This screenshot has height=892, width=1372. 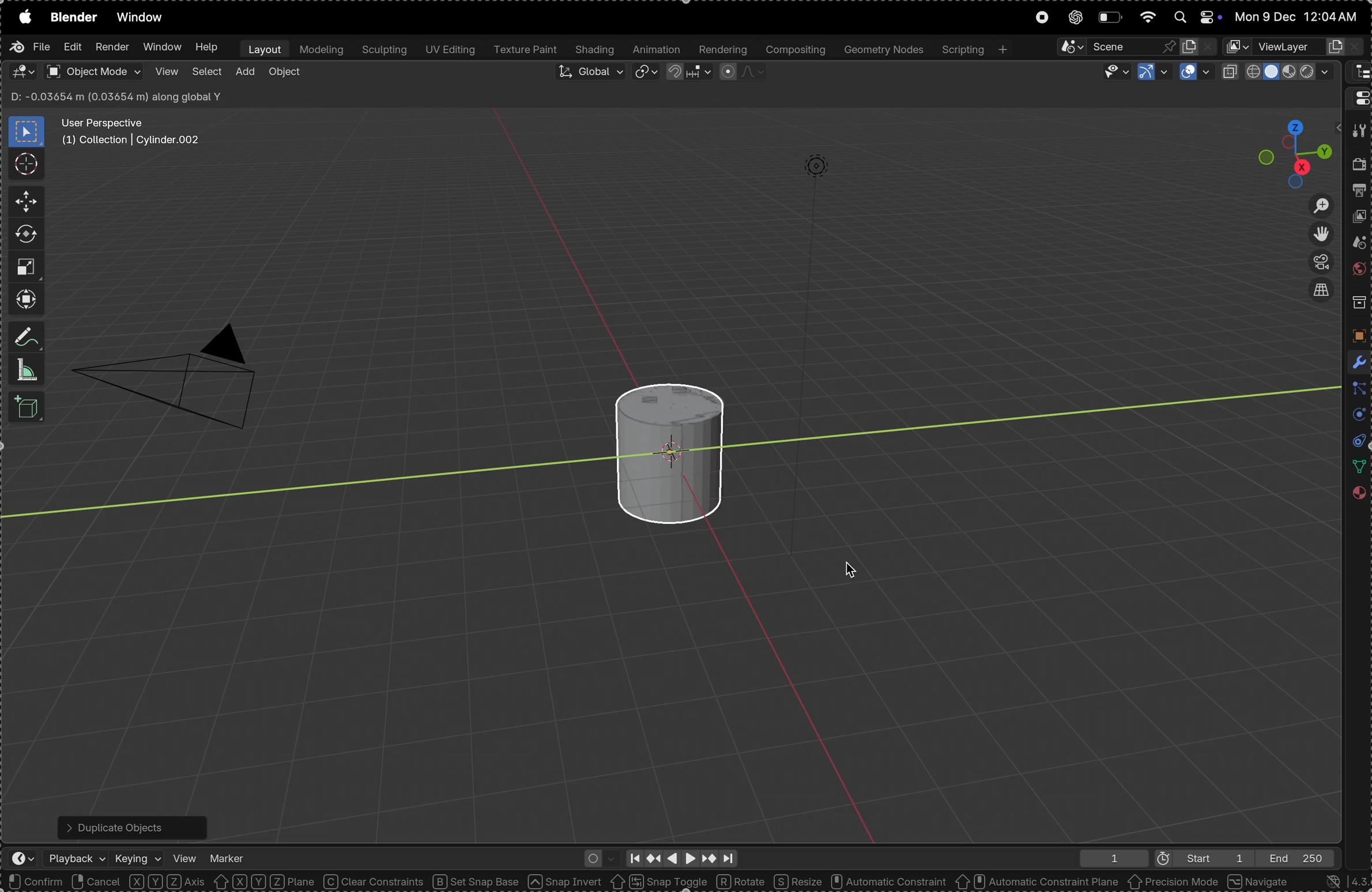 I want to click on version, so click(x=1339, y=881).